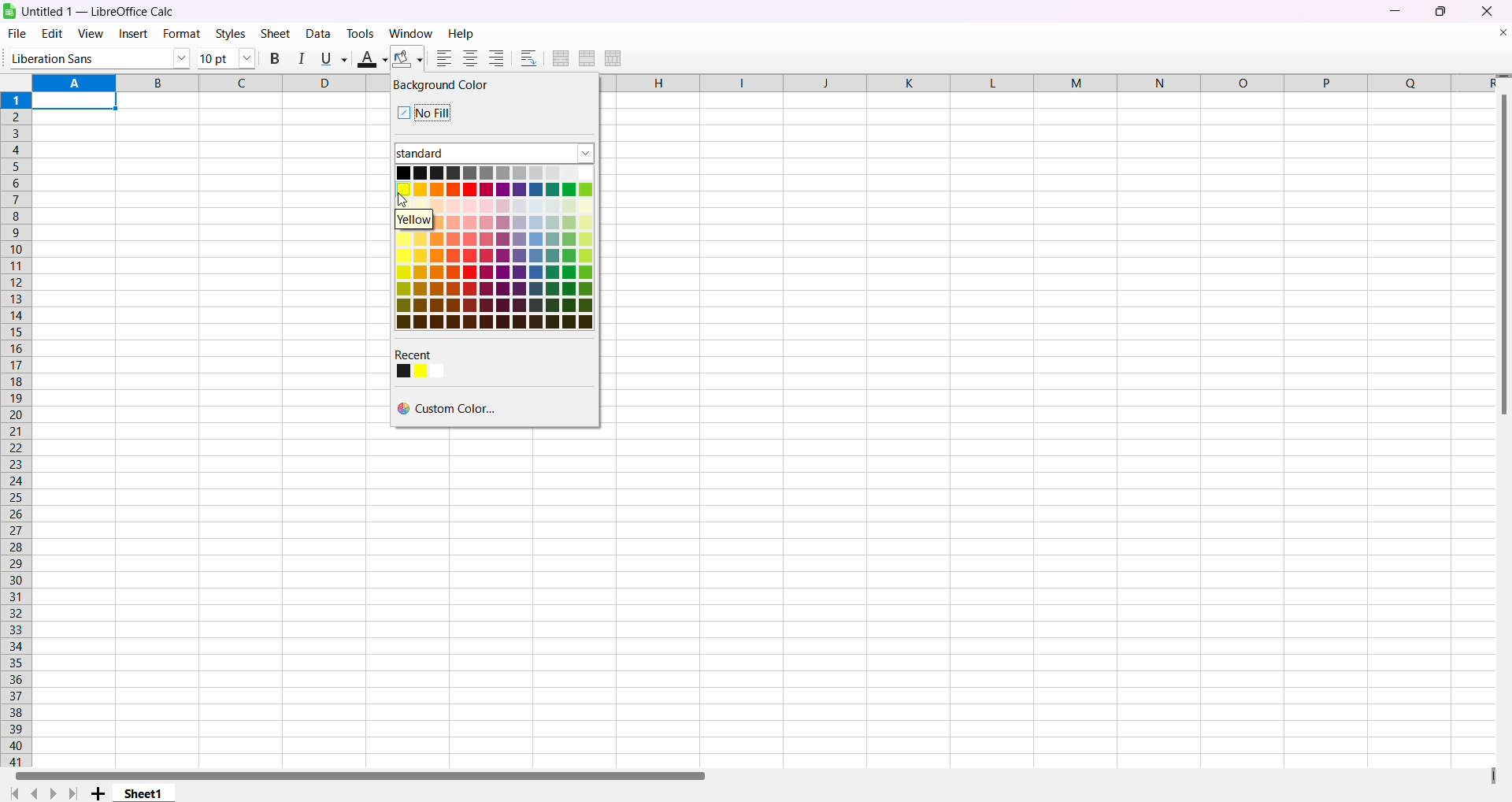  I want to click on horizontal scroll bar, so click(361, 774).